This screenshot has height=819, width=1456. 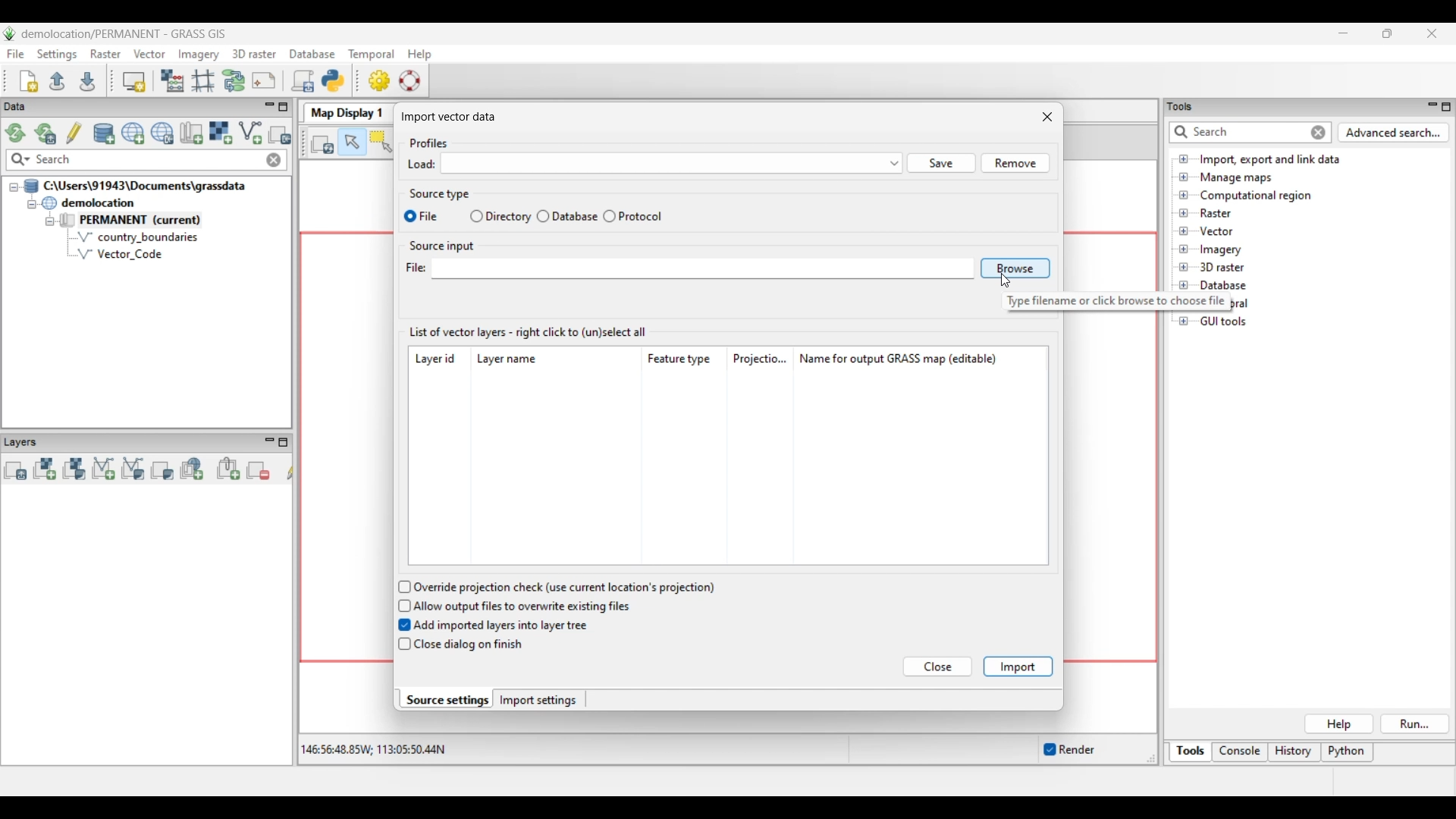 I want to click on Tools, current selection, so click(x=1191, y=752).